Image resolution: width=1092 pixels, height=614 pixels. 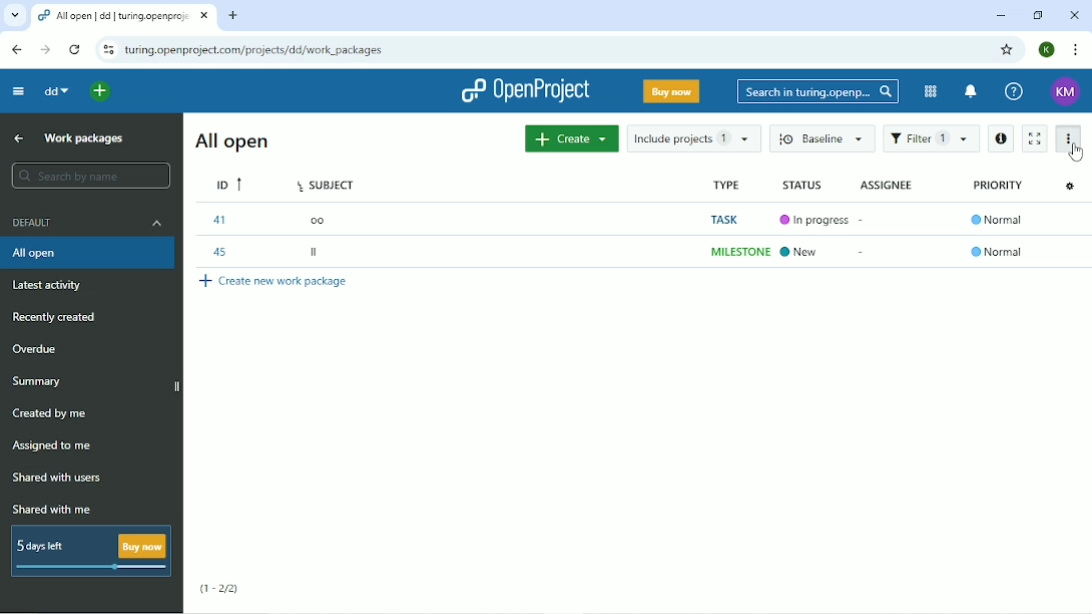 I want to click on Bookmark this tab, so click(x=1007, y=49).